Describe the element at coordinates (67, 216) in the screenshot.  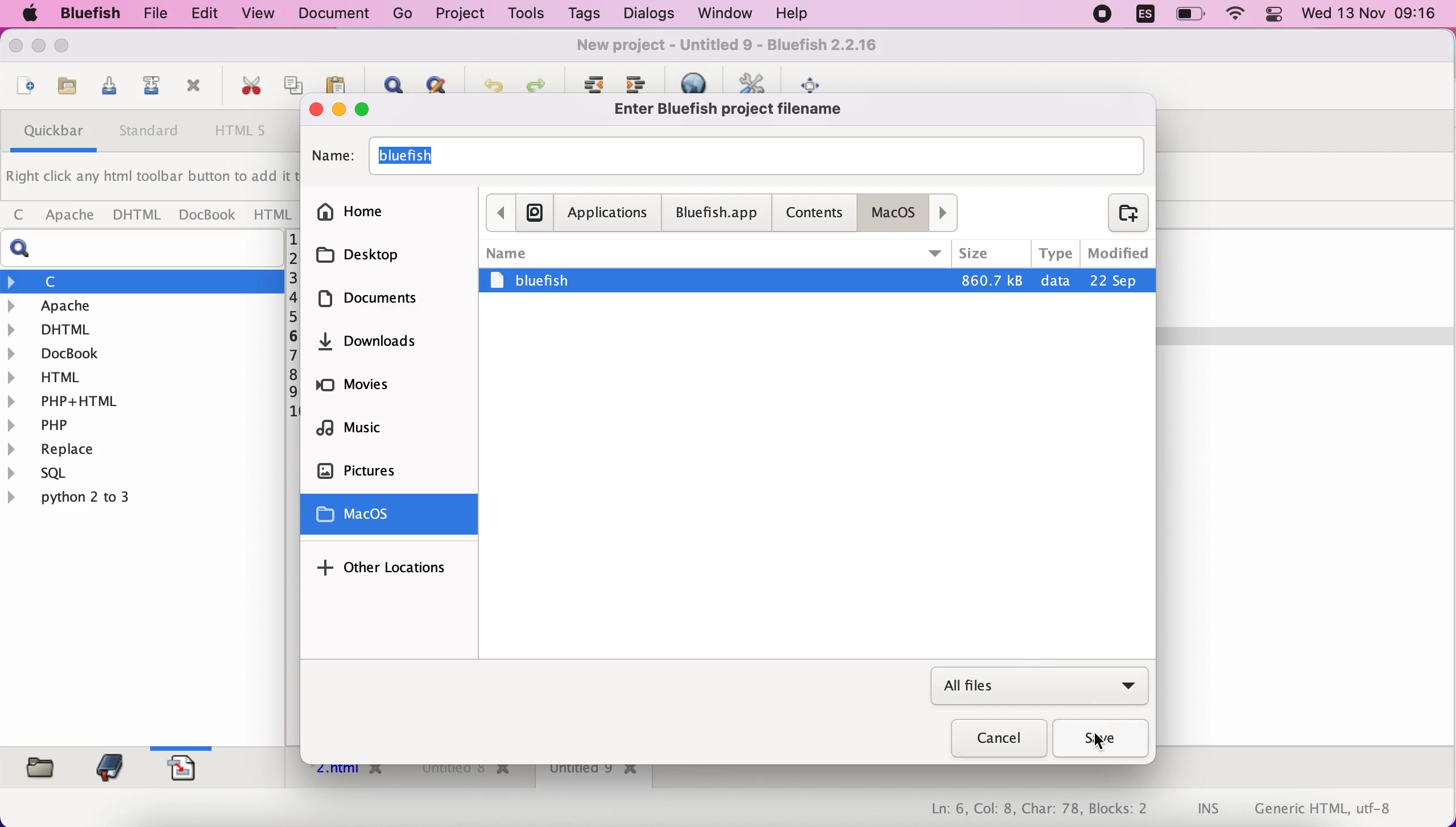
I see `apache` at that location.